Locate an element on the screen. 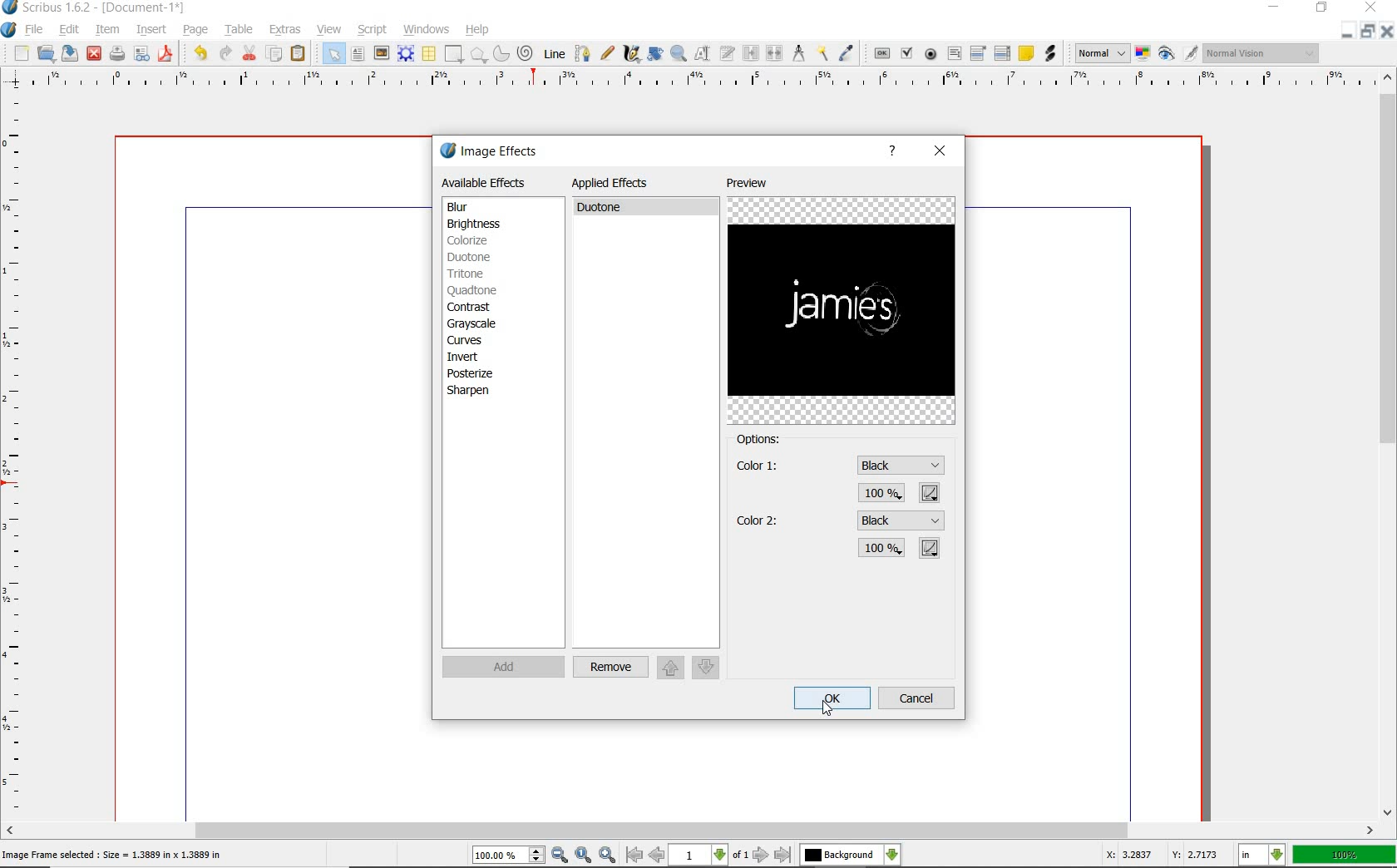 Image resolution: width=1397 pixels, height=868 pixels. eye dropper is located at coordinates (845, 53).